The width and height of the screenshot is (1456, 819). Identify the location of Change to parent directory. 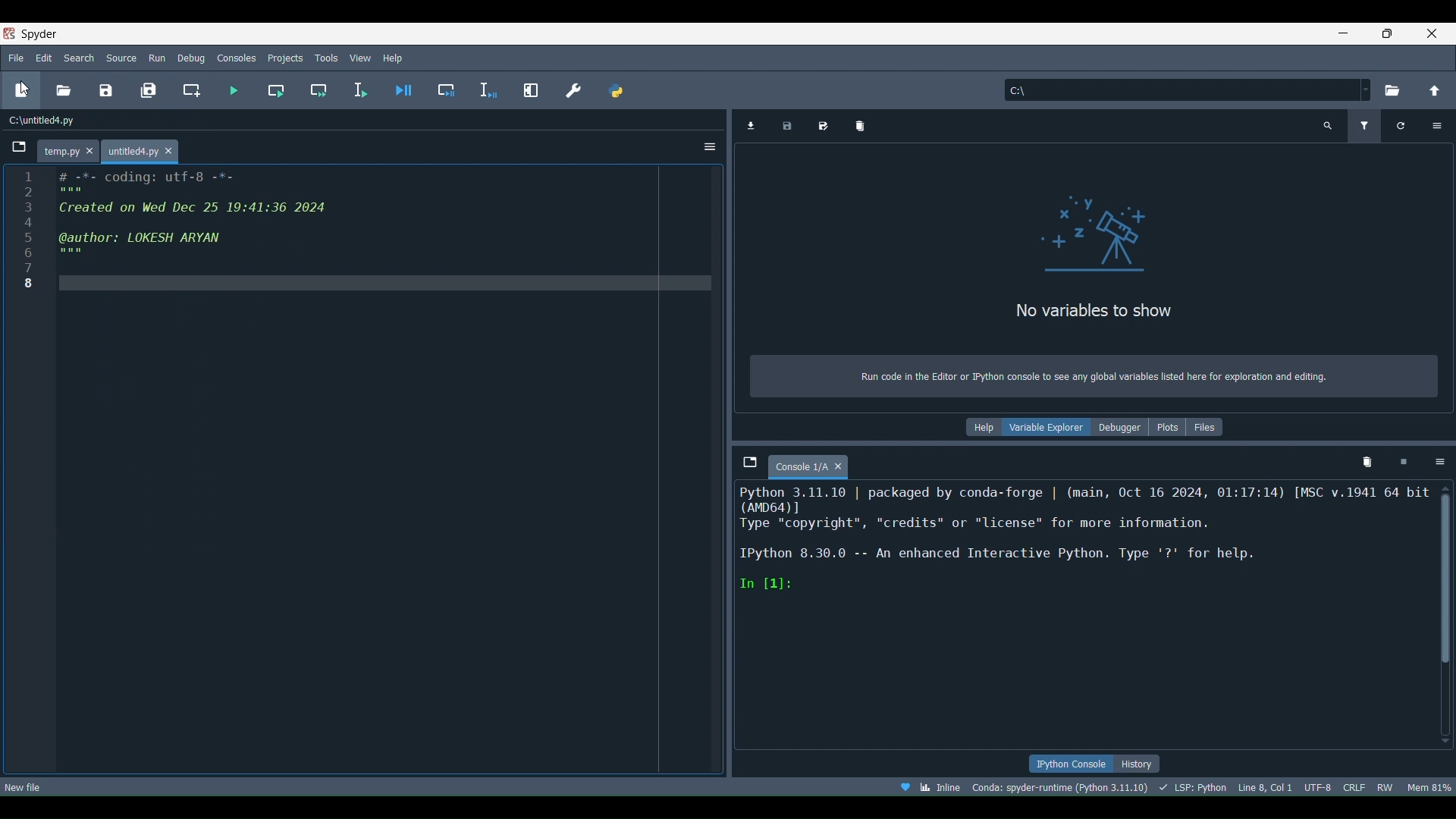
(1429, 92).